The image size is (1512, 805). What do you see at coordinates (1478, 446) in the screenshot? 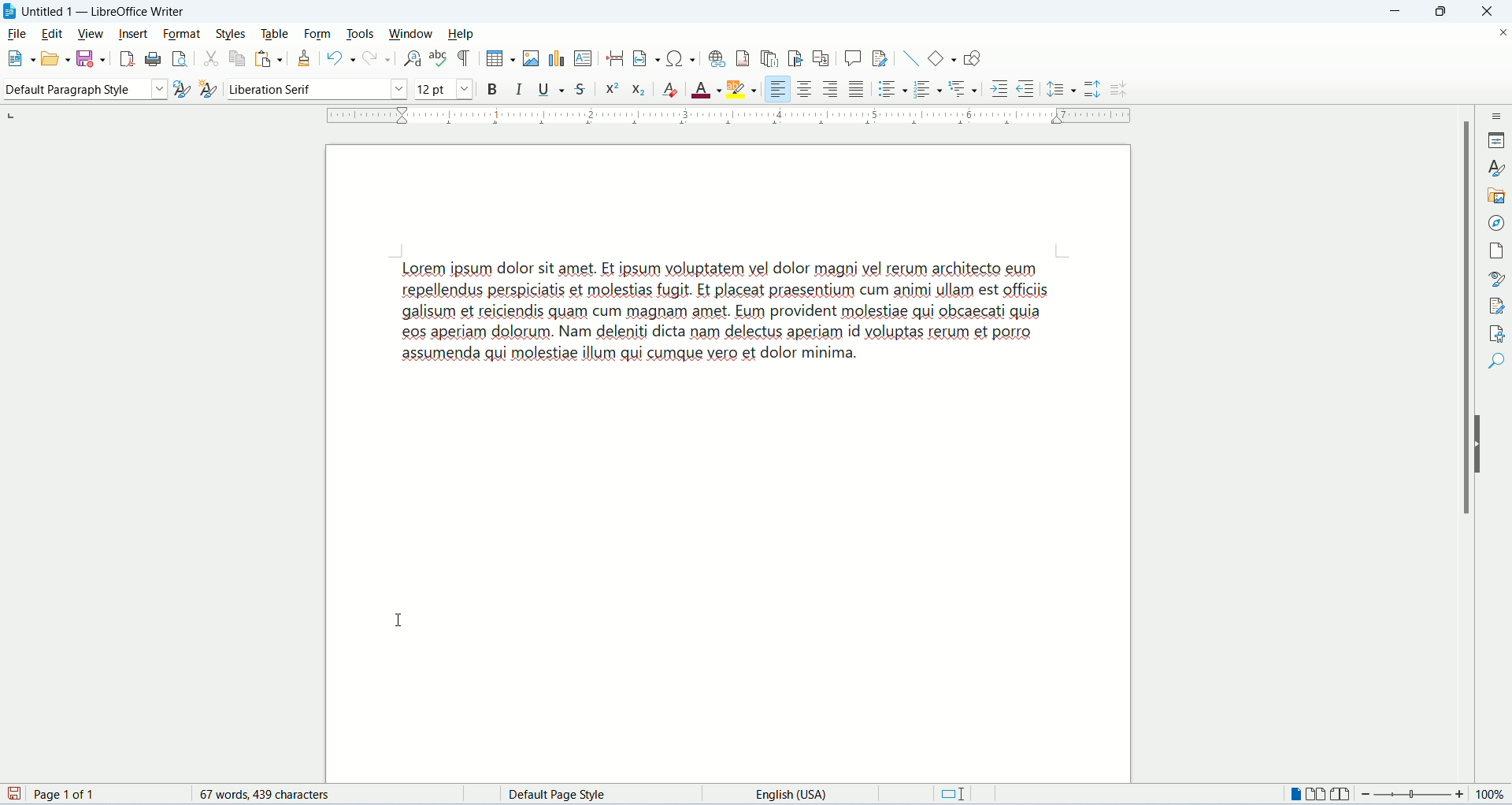
I see `hide` at bounding box center [1478, 446].